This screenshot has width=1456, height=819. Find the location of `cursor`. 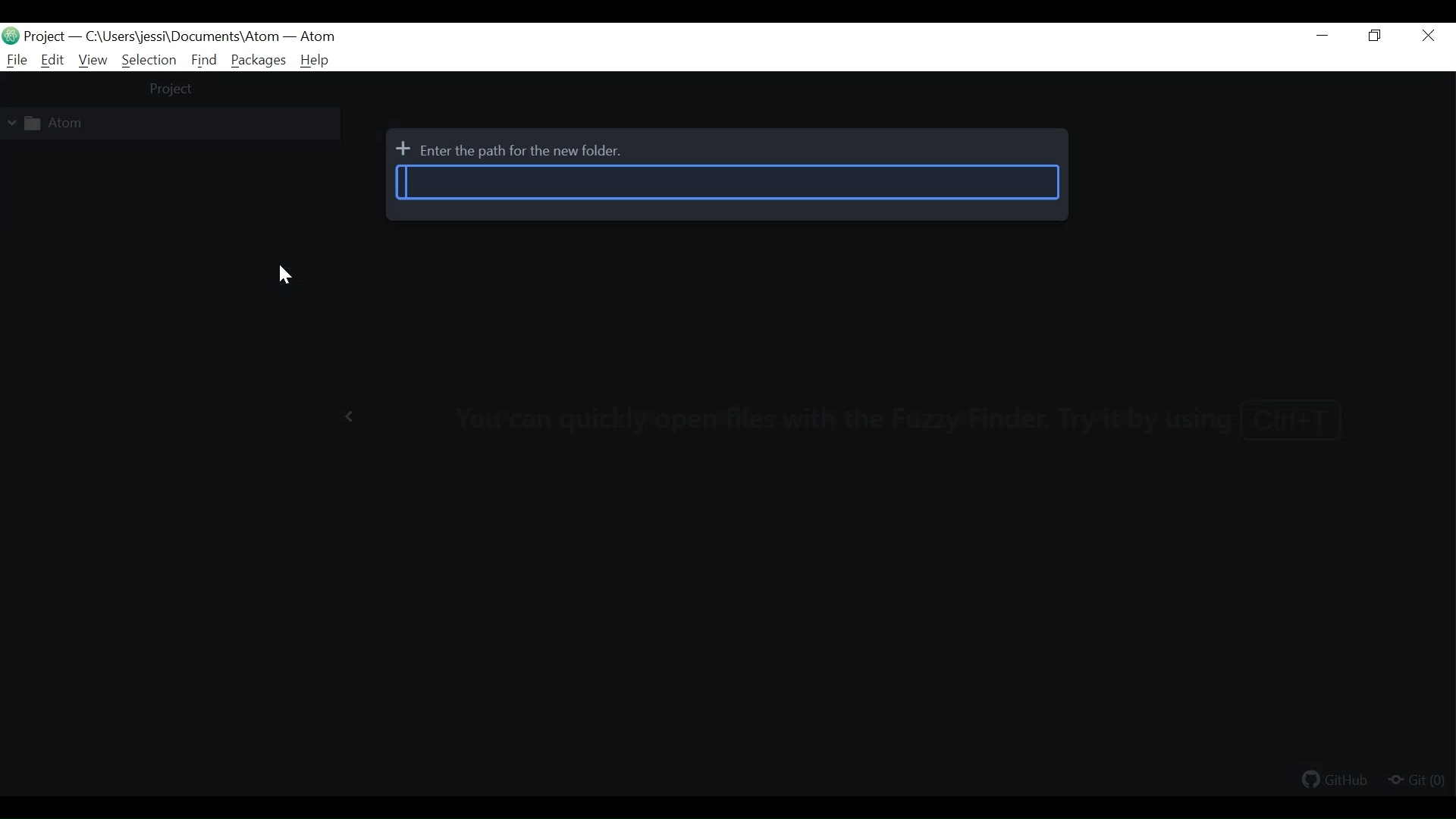

cursor is located at coordinates (285, 278).